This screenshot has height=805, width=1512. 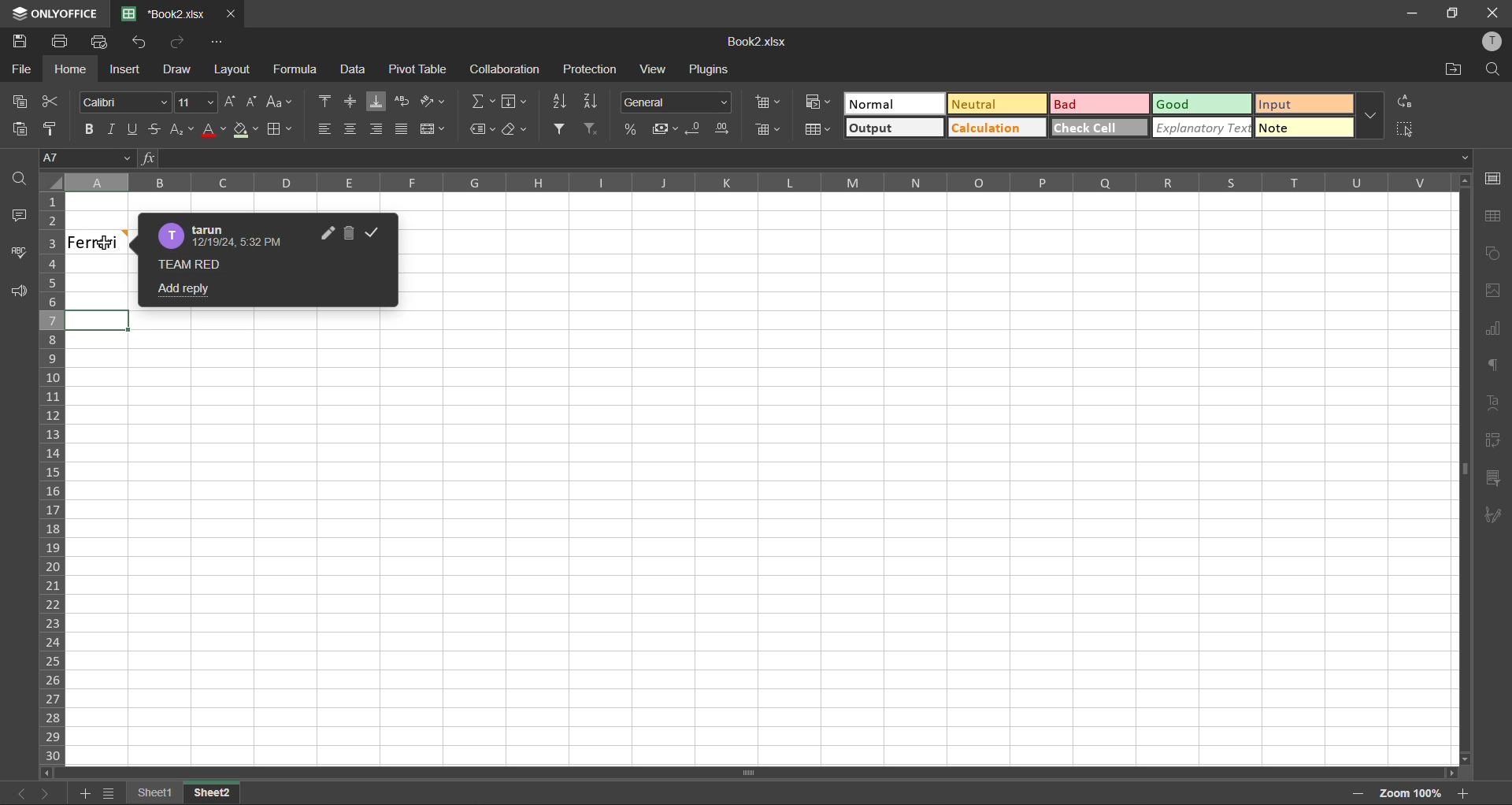 What do you see at coordinates (72, 71) in the screenshot?
I see `home` at bounding box center [72, 71].